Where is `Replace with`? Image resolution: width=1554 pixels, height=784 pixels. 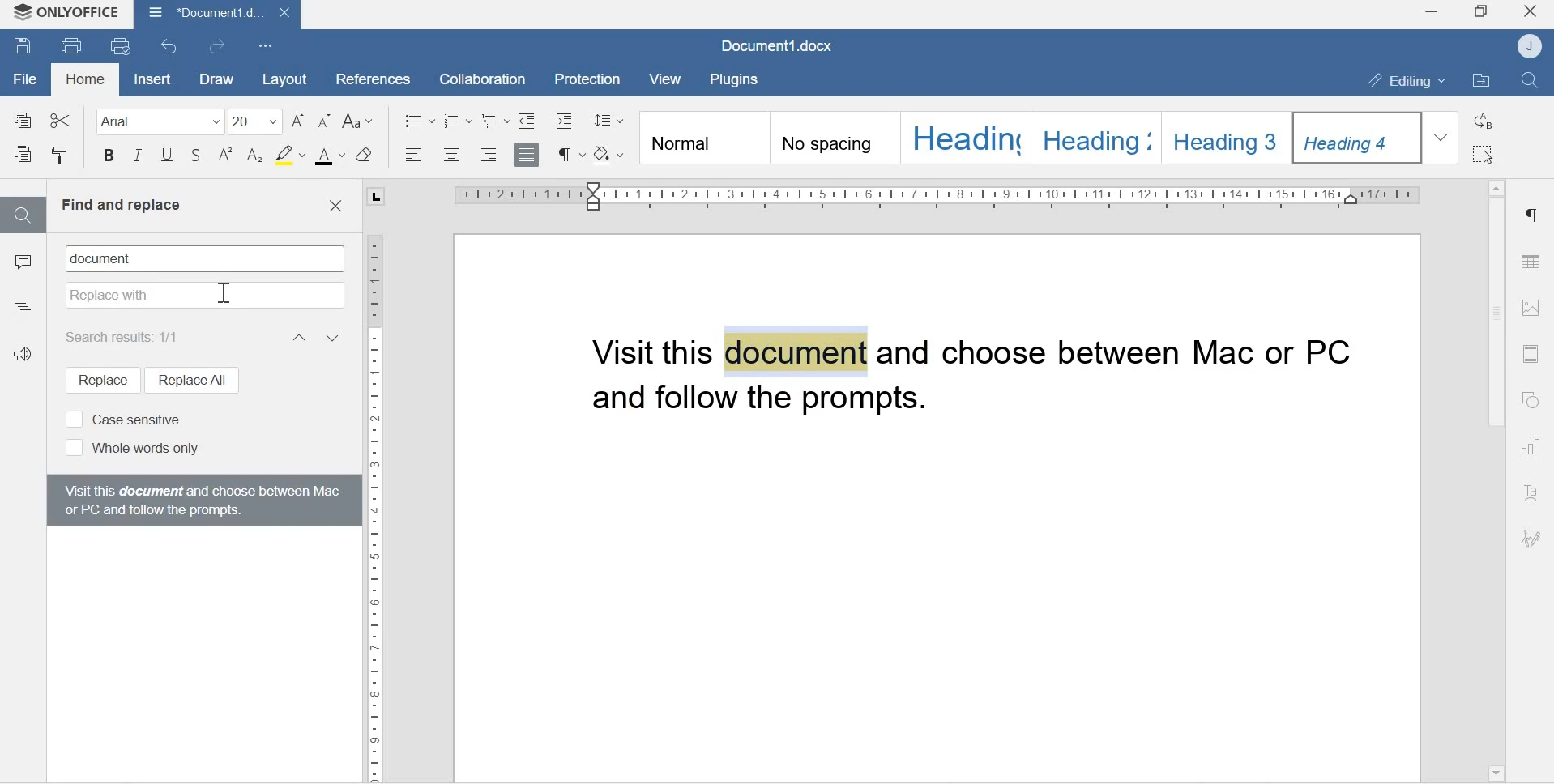
Replace with is located at coordinates (206, 296).